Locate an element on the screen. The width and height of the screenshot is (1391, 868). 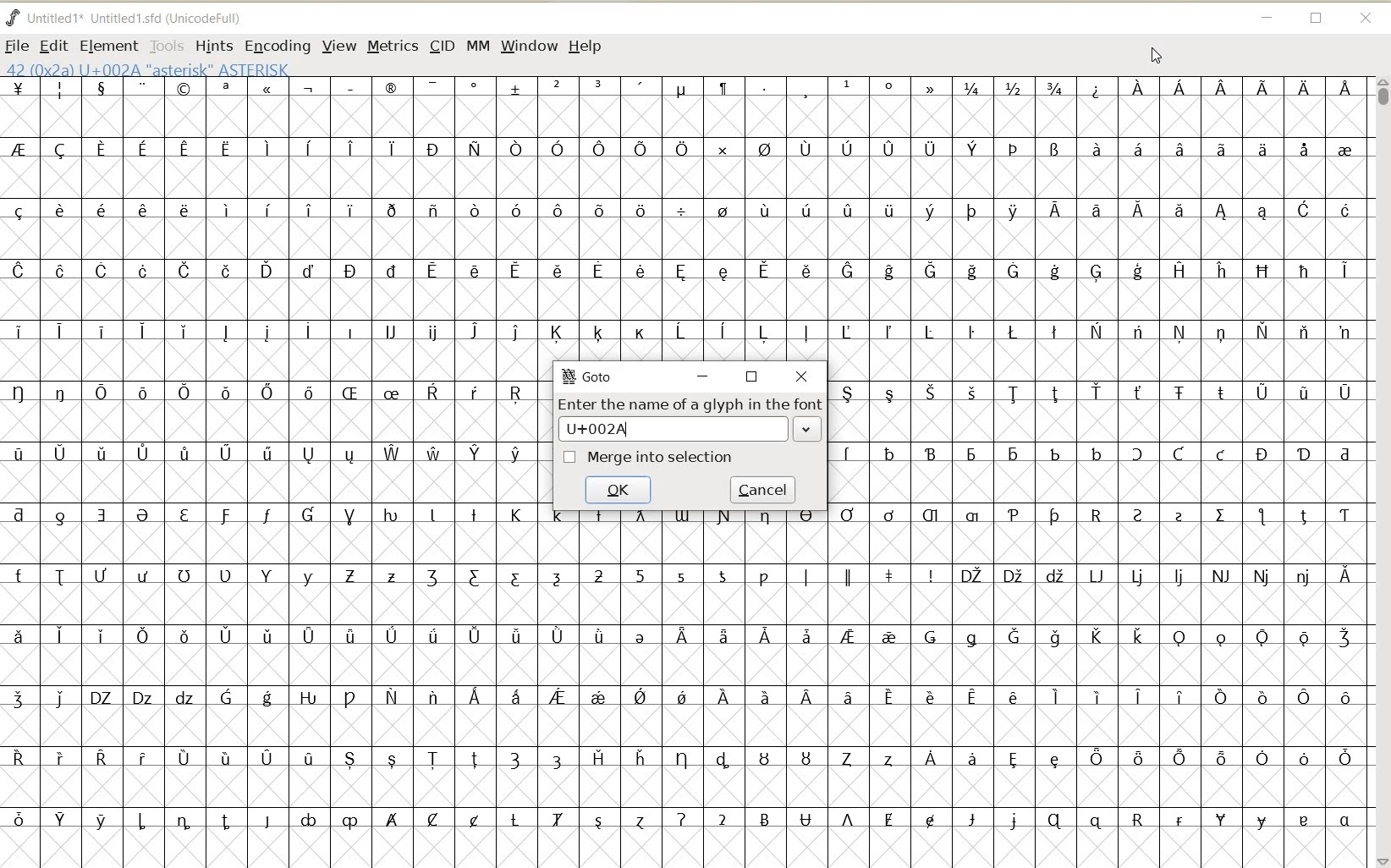
GLYPHY CHARACTERS & NUMBERS is located at coordinates (686, 688).